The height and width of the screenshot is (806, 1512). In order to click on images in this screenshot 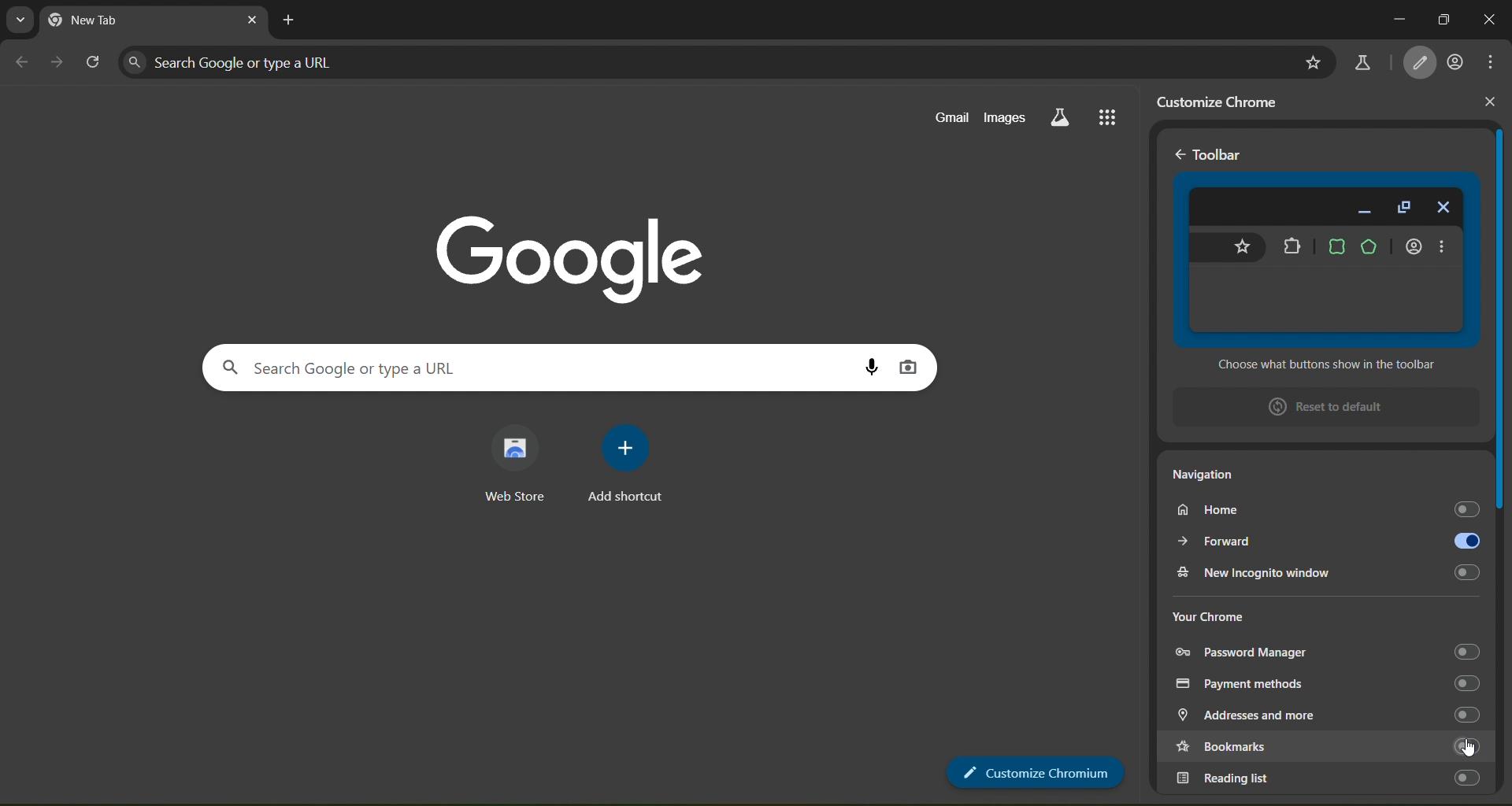, I will do `click(1007, 119)`.